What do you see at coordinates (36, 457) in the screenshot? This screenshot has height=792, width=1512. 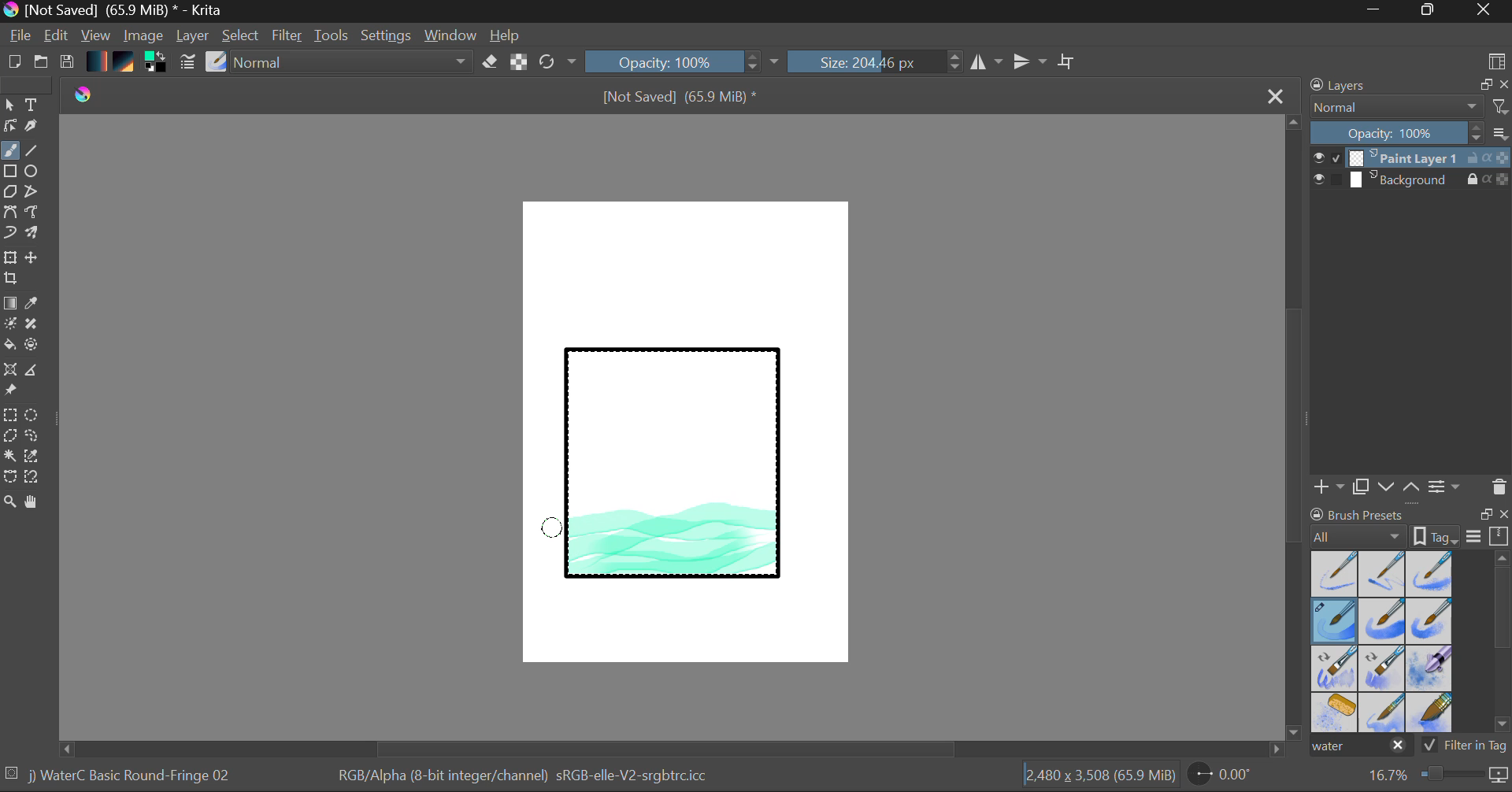 I see `Similar Color Selector` at bounding box center [36, 457].